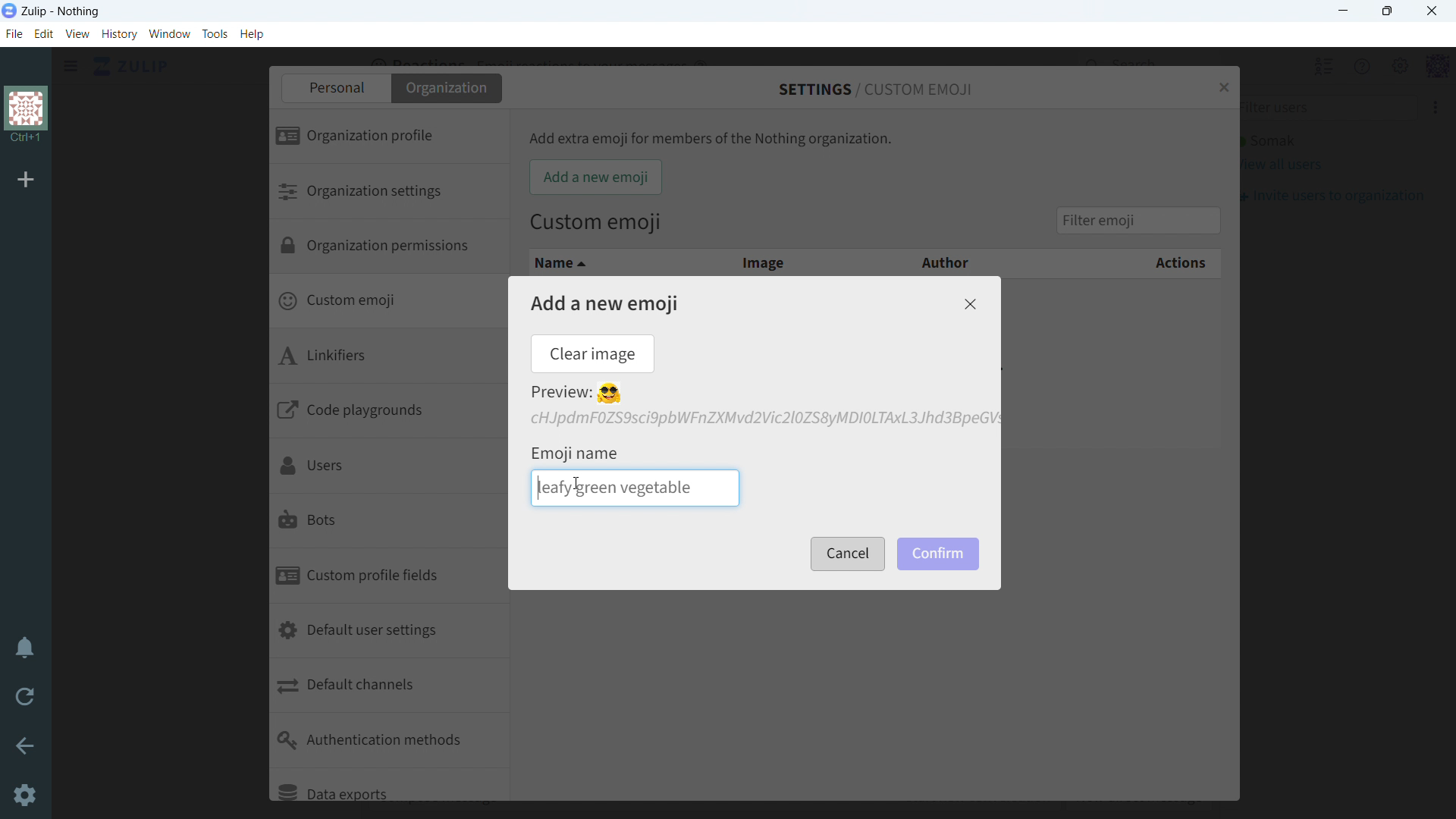  I want to click on personal menu, so click(1423, 66).